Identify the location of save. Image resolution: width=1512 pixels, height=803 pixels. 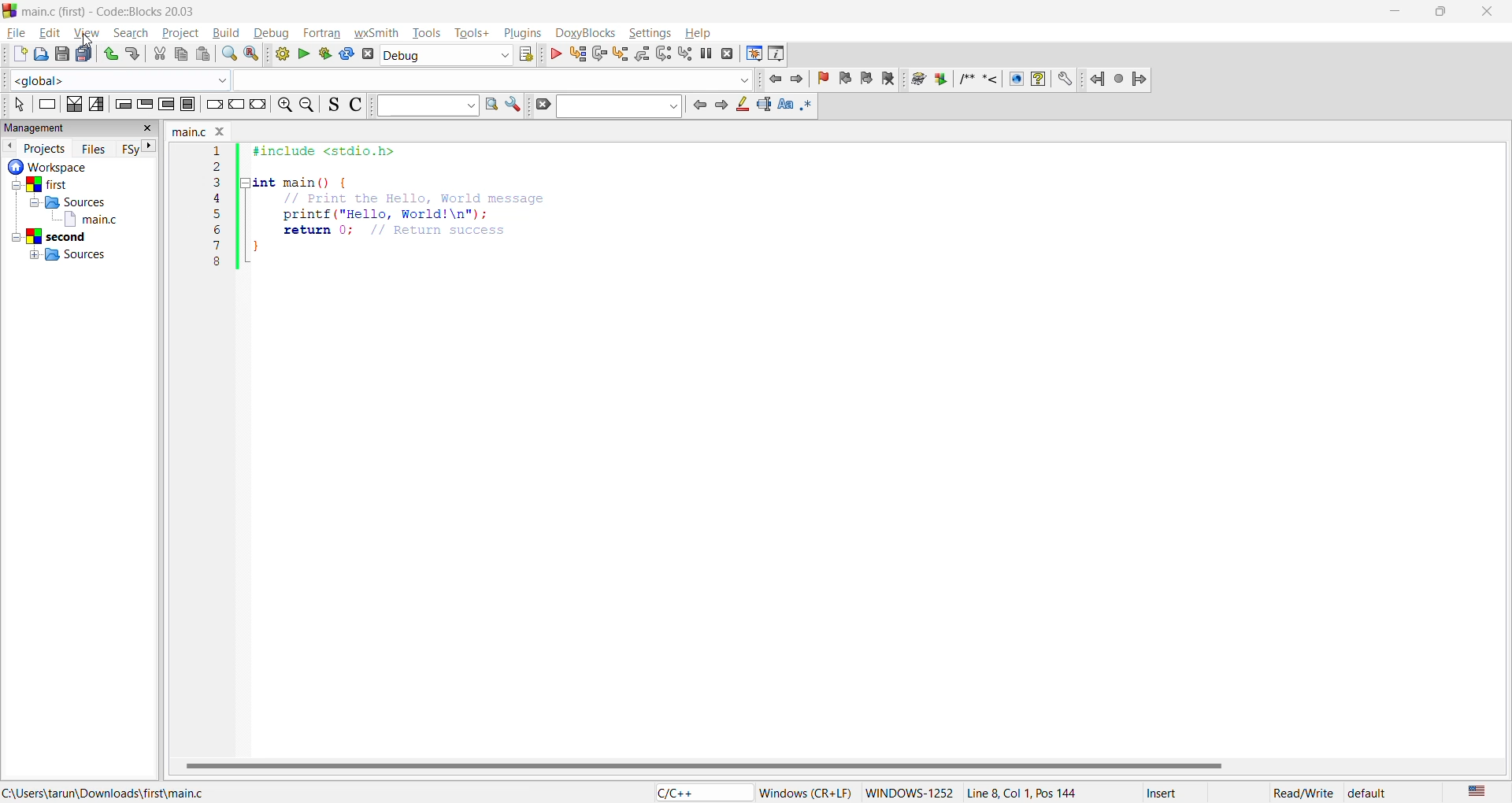
(61, 54).